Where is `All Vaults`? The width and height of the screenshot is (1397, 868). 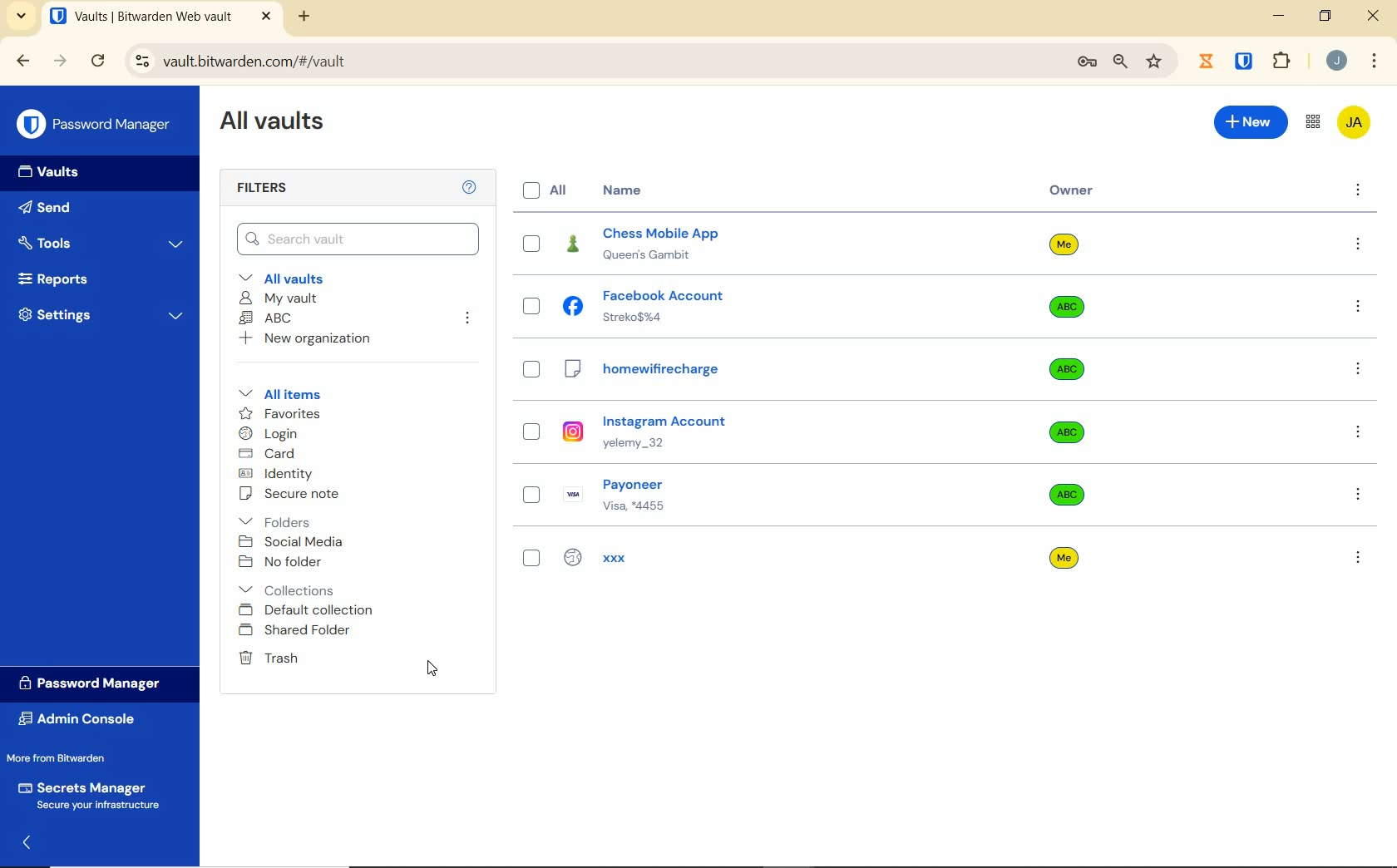 All Vaults is located at coordinates (277, 121).